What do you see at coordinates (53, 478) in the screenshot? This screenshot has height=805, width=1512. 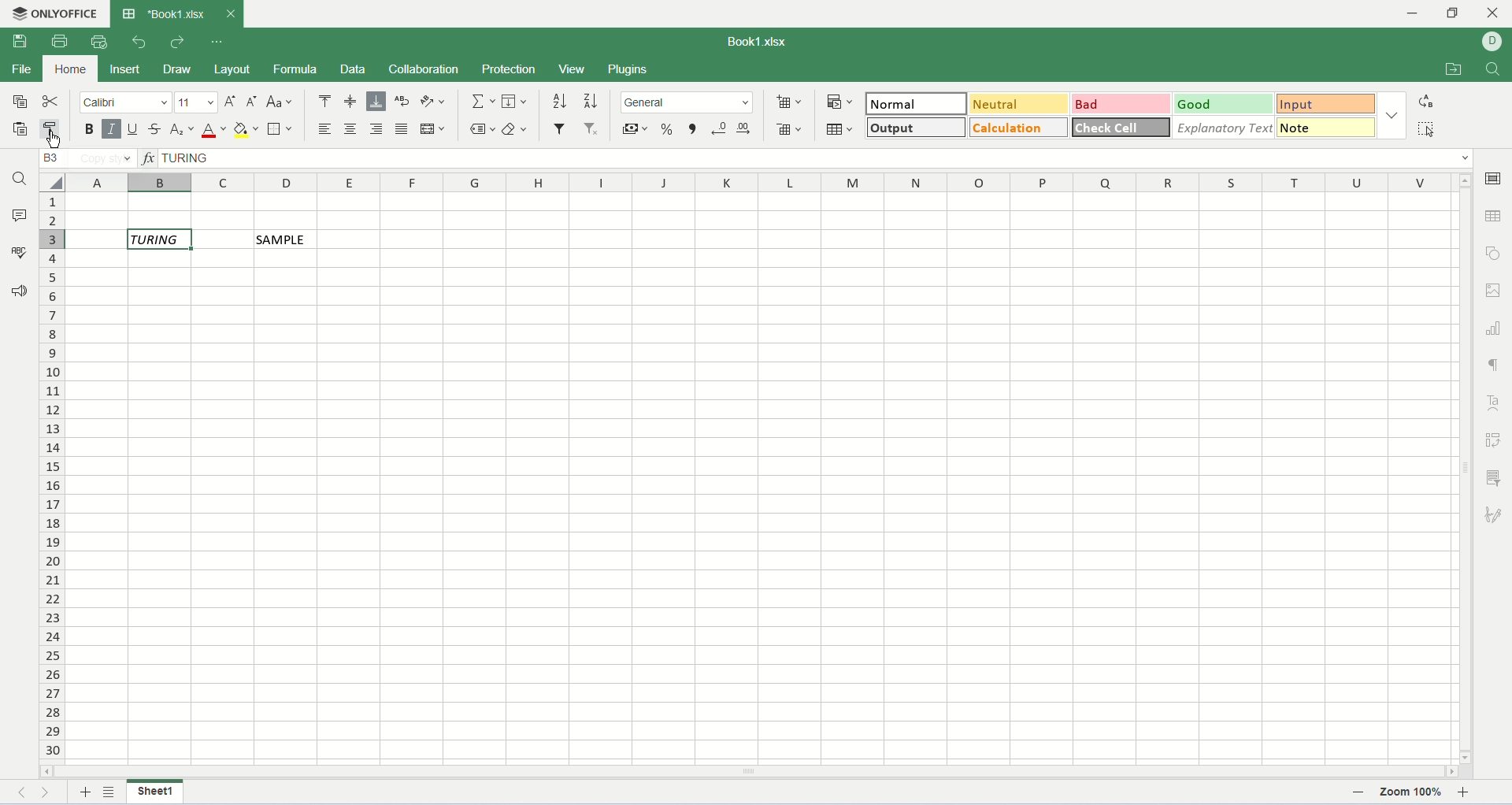 I see `row number` at bounding box center [53, 478].